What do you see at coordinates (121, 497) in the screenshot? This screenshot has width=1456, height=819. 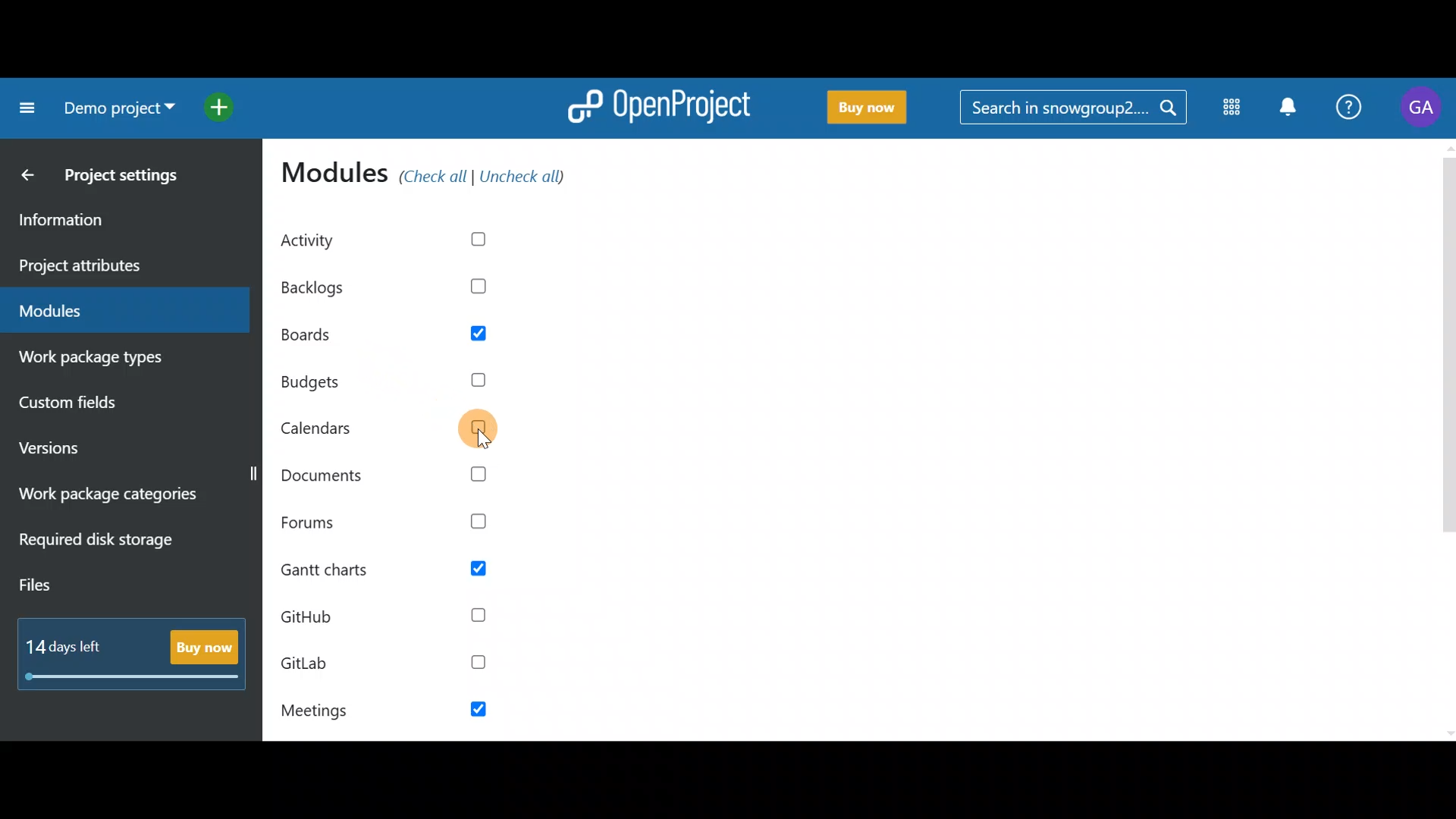 I see `Work package categories` at bounding box center [121, 497].